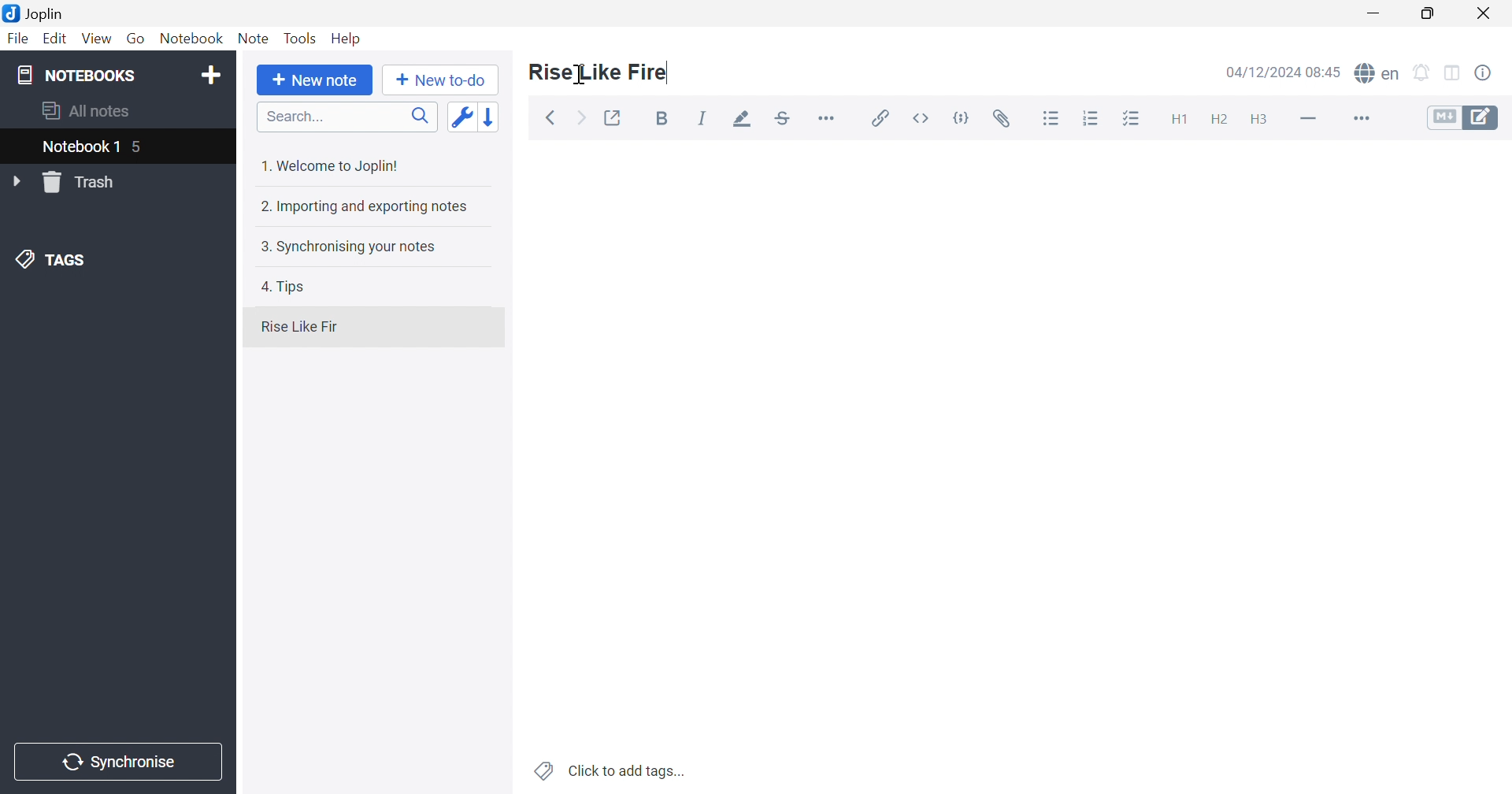 The width and height of the screenshot is (1512, 794). Describe the element at coordinates (17, 182) in the screenshot. I see `Drop Down` at that location.